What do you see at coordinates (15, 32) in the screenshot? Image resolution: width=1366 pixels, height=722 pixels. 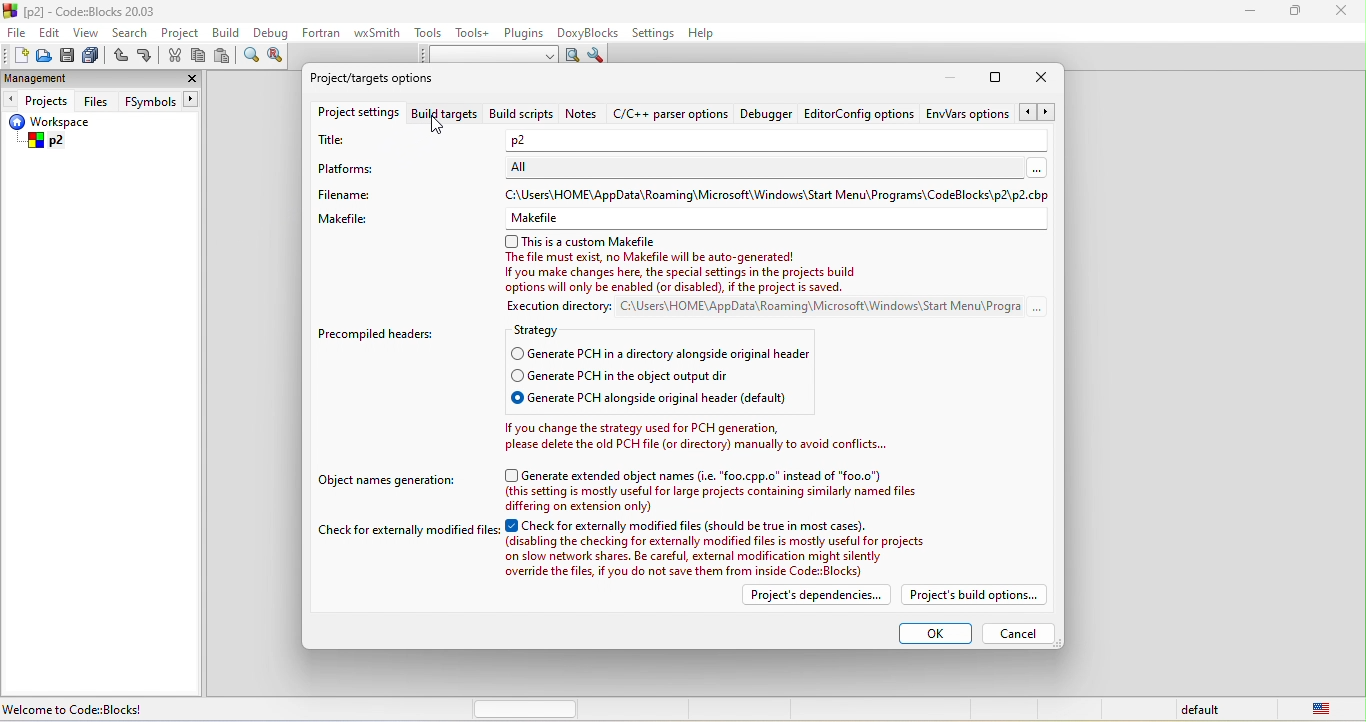 I see `file` at bounding box center [15, 32].